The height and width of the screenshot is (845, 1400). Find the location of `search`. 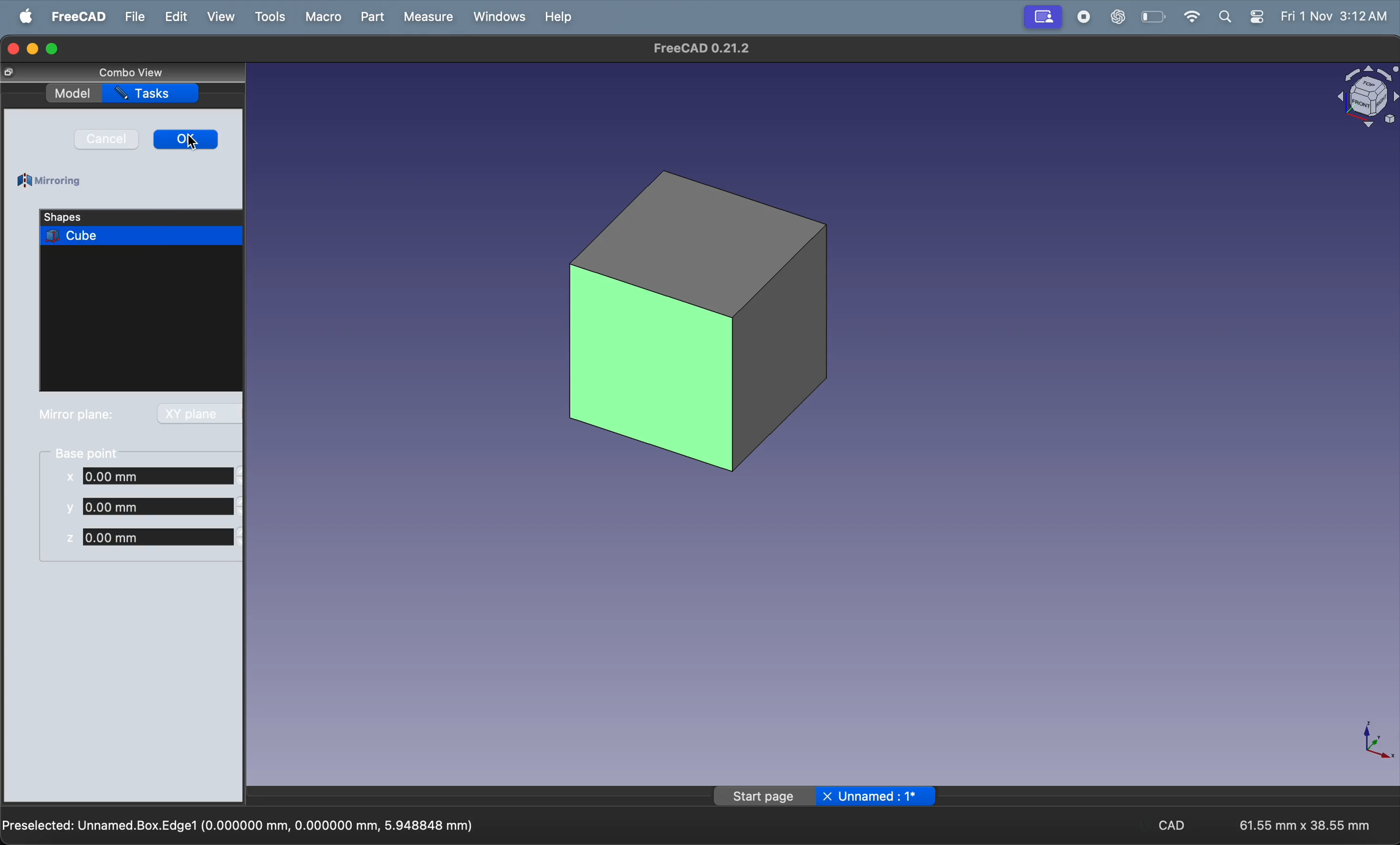

search is located at coordinates (1224, 18).